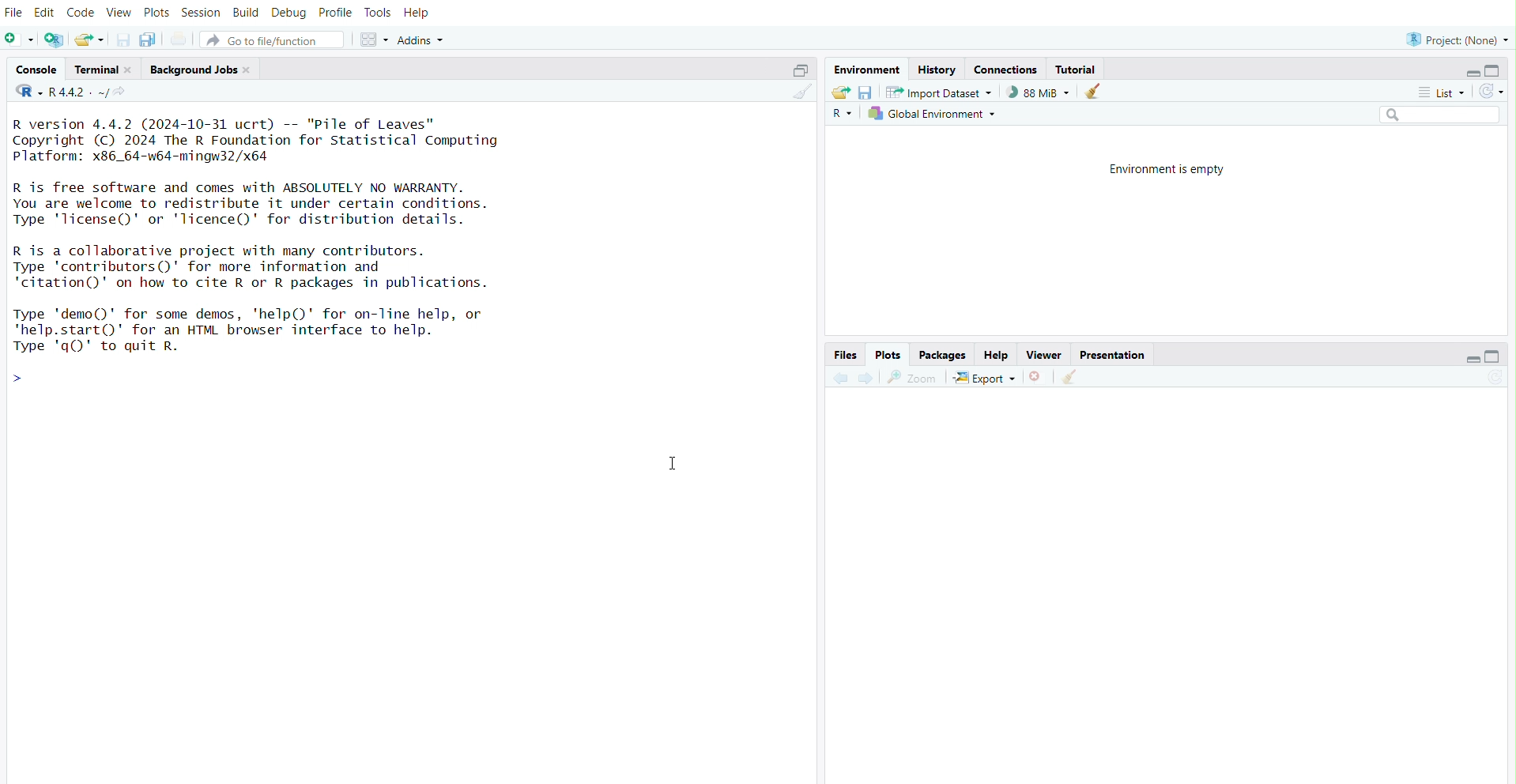  Describe the element at coordinates (124, 93) in the screenshot. I see `view the current working diirectory` at that location.